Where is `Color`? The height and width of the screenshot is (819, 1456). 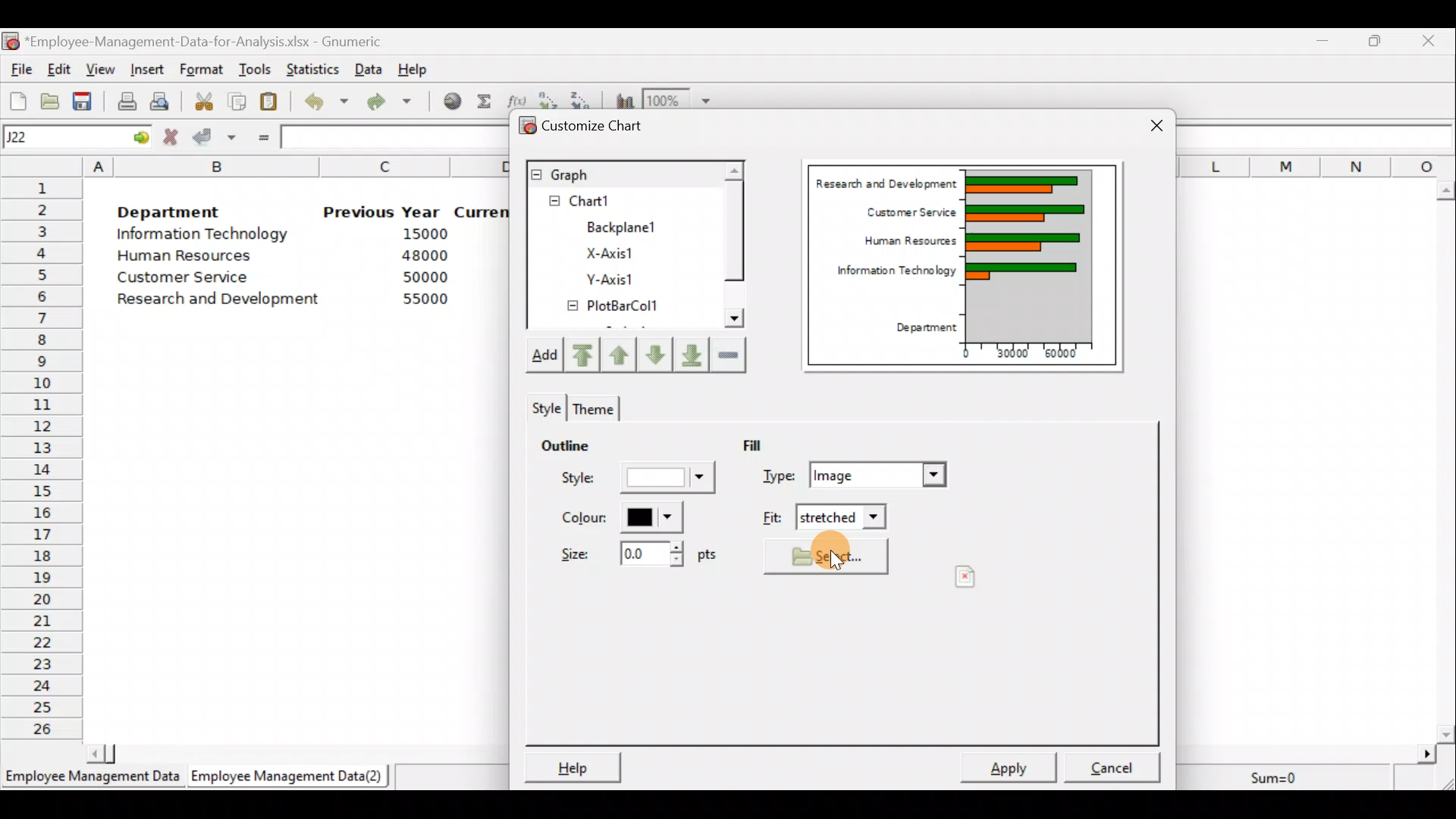
Color is located at coordinates (623, 518).